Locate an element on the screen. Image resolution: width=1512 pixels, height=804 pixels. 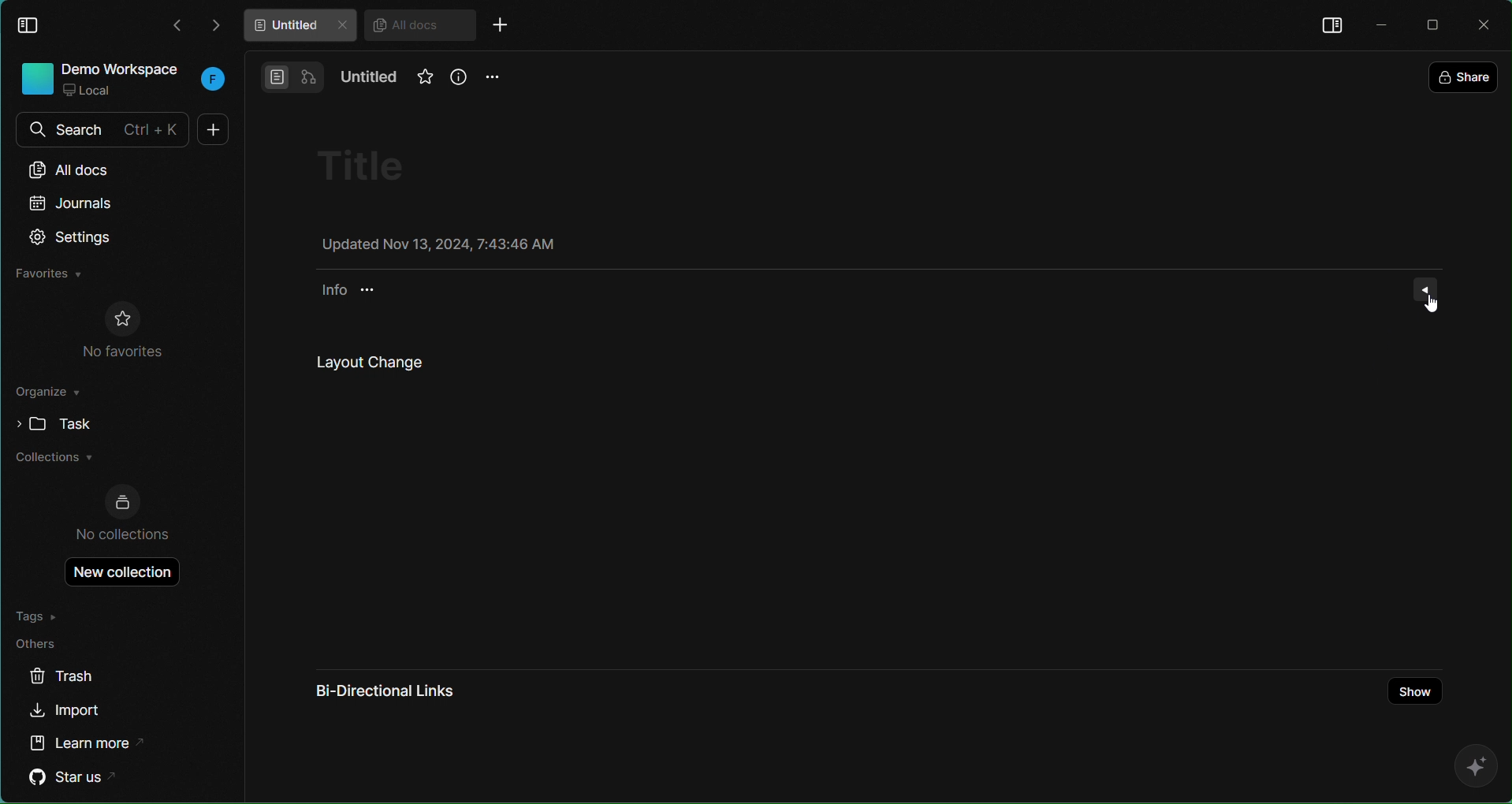
< is located at coordinates (177, 27).